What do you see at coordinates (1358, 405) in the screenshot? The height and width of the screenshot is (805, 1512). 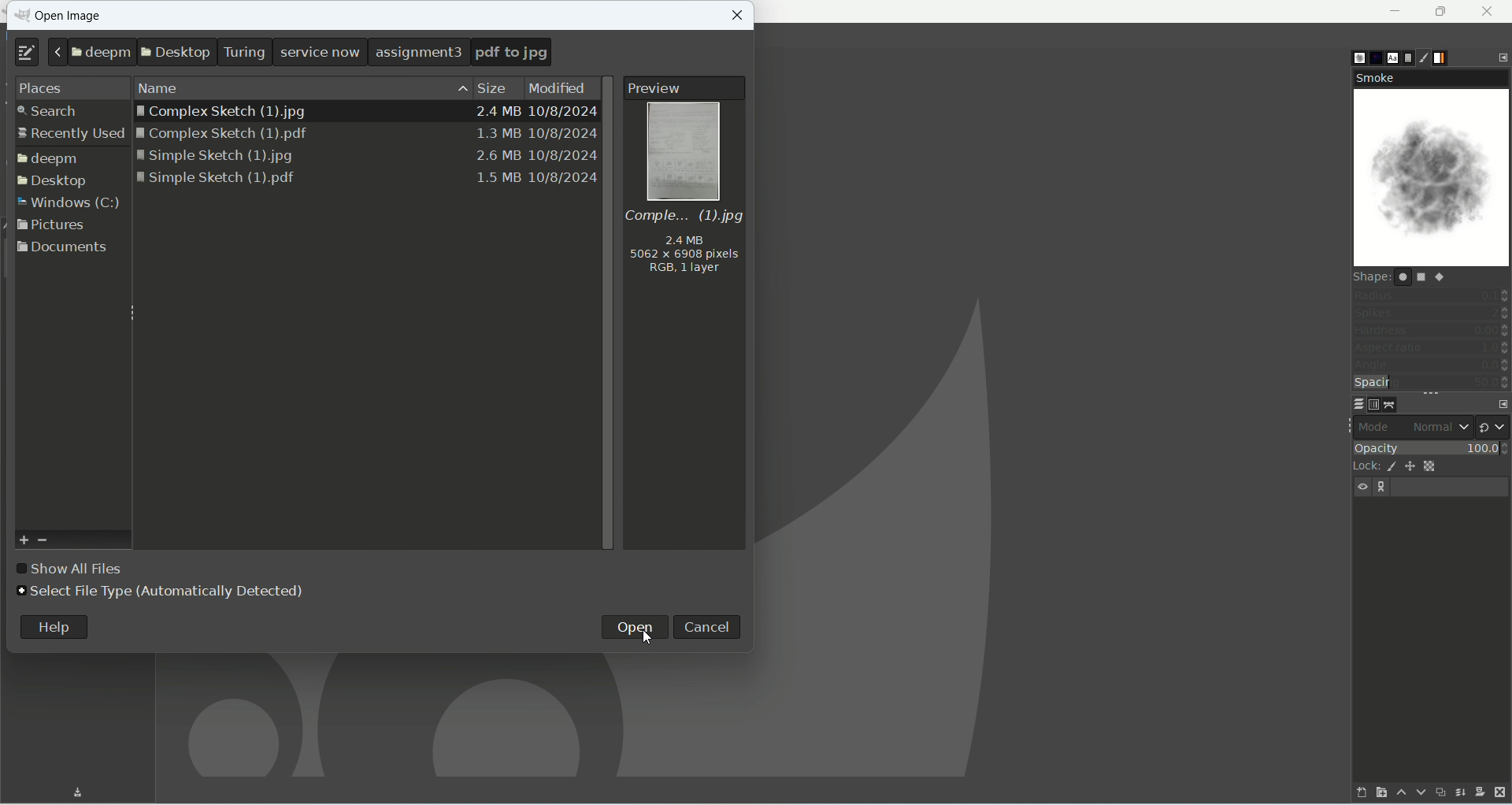 I see `layers` at bounding box center [1358, 405].